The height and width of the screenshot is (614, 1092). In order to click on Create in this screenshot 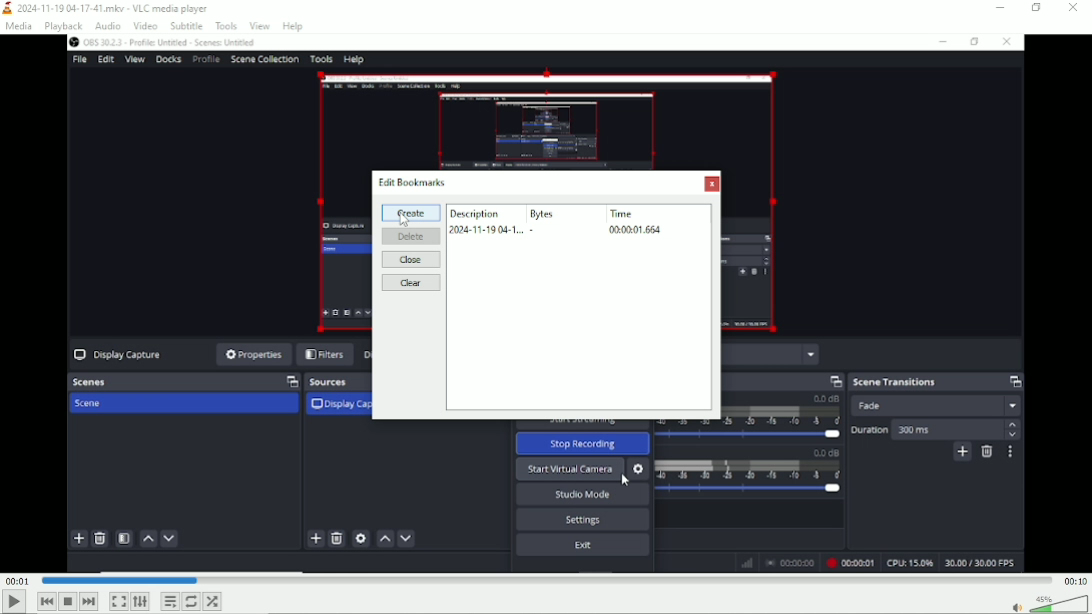, I will do `click(411, 213)`.